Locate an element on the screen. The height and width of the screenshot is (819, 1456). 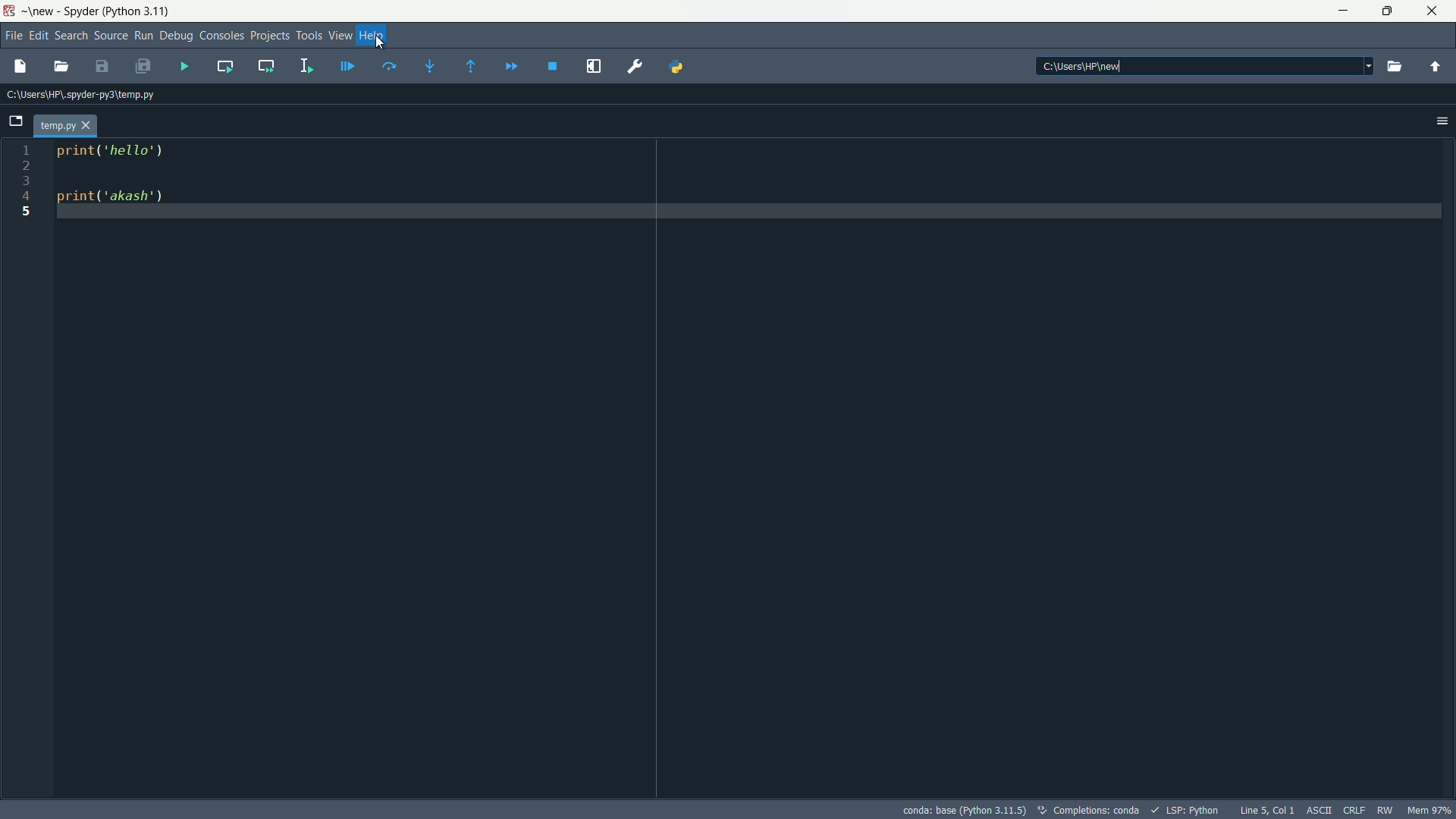
edit menu is located at coordinates (39, 35).